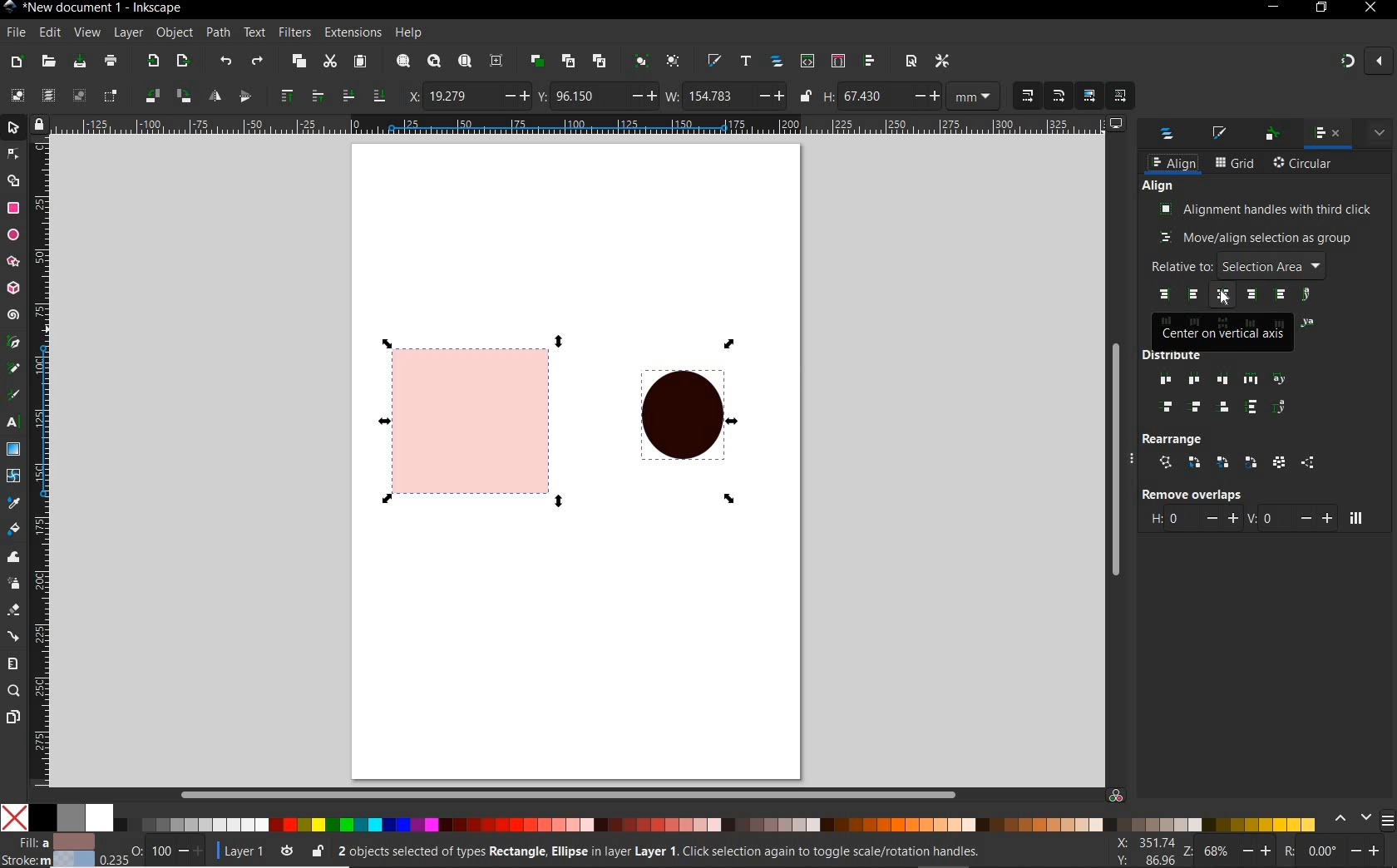 The width and height of the screenshot is (1397, 868). Describe the element at coordinates (465, 419) in the screenshot. I see `shape selected` at that location.